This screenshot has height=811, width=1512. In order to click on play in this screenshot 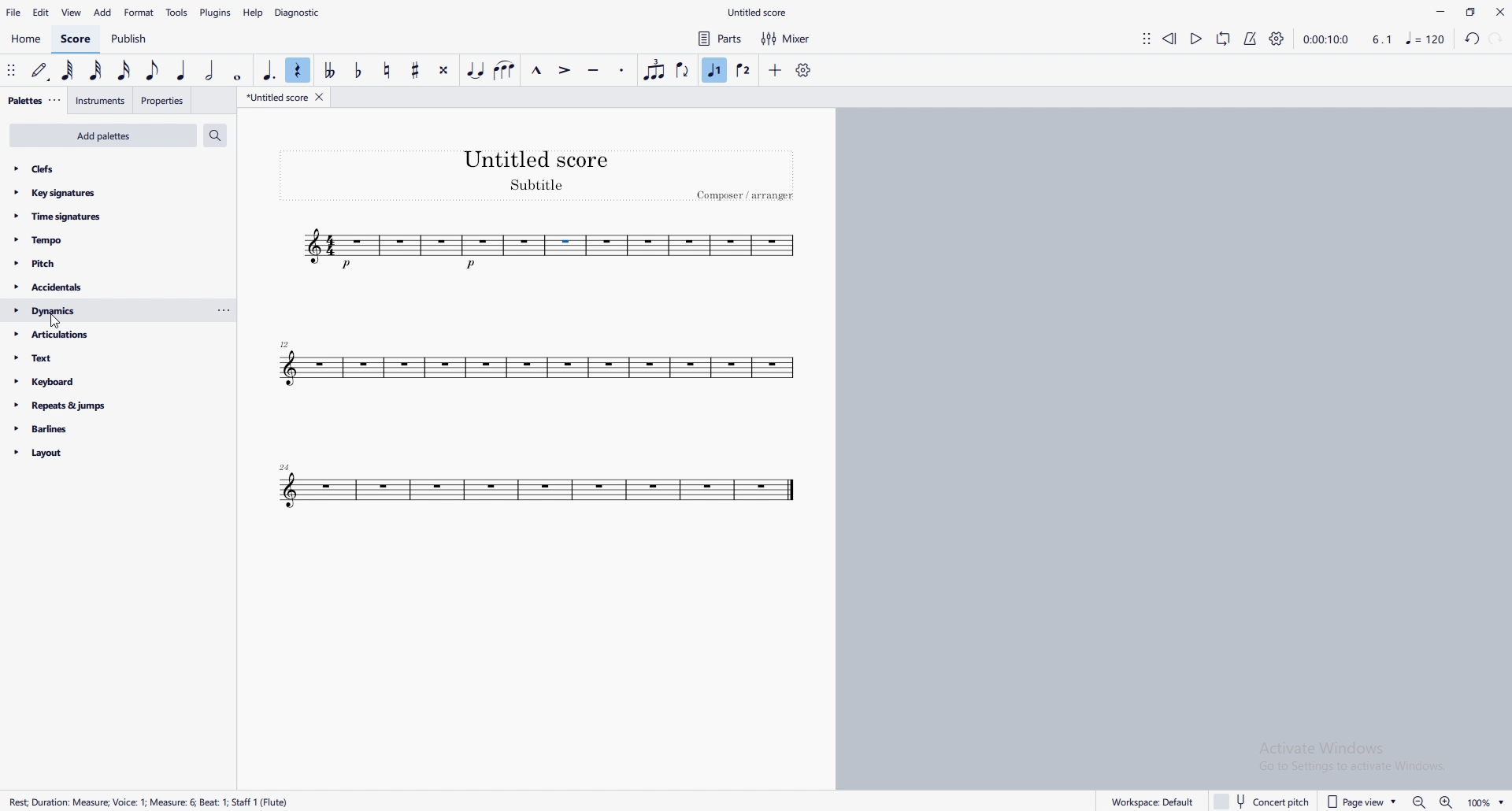, I will do `click(1196, 38)`.